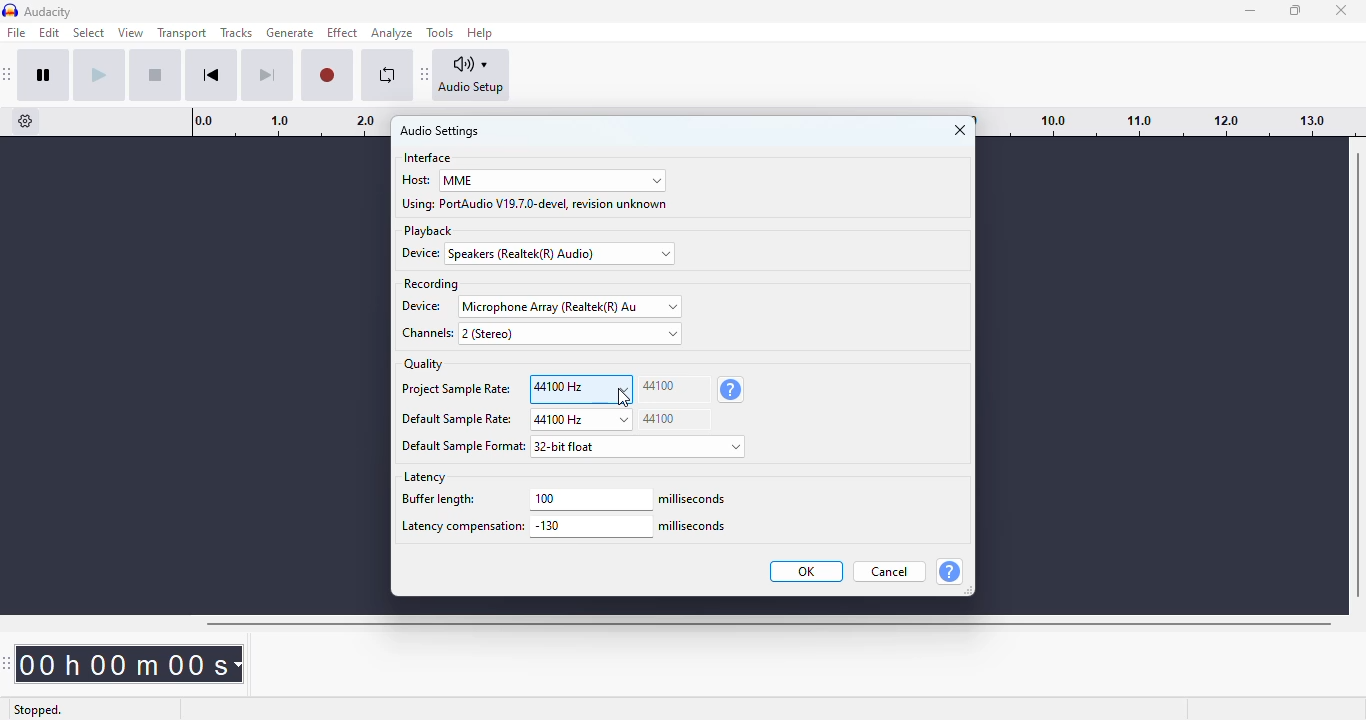  I want to click on device, so click(424, 253).